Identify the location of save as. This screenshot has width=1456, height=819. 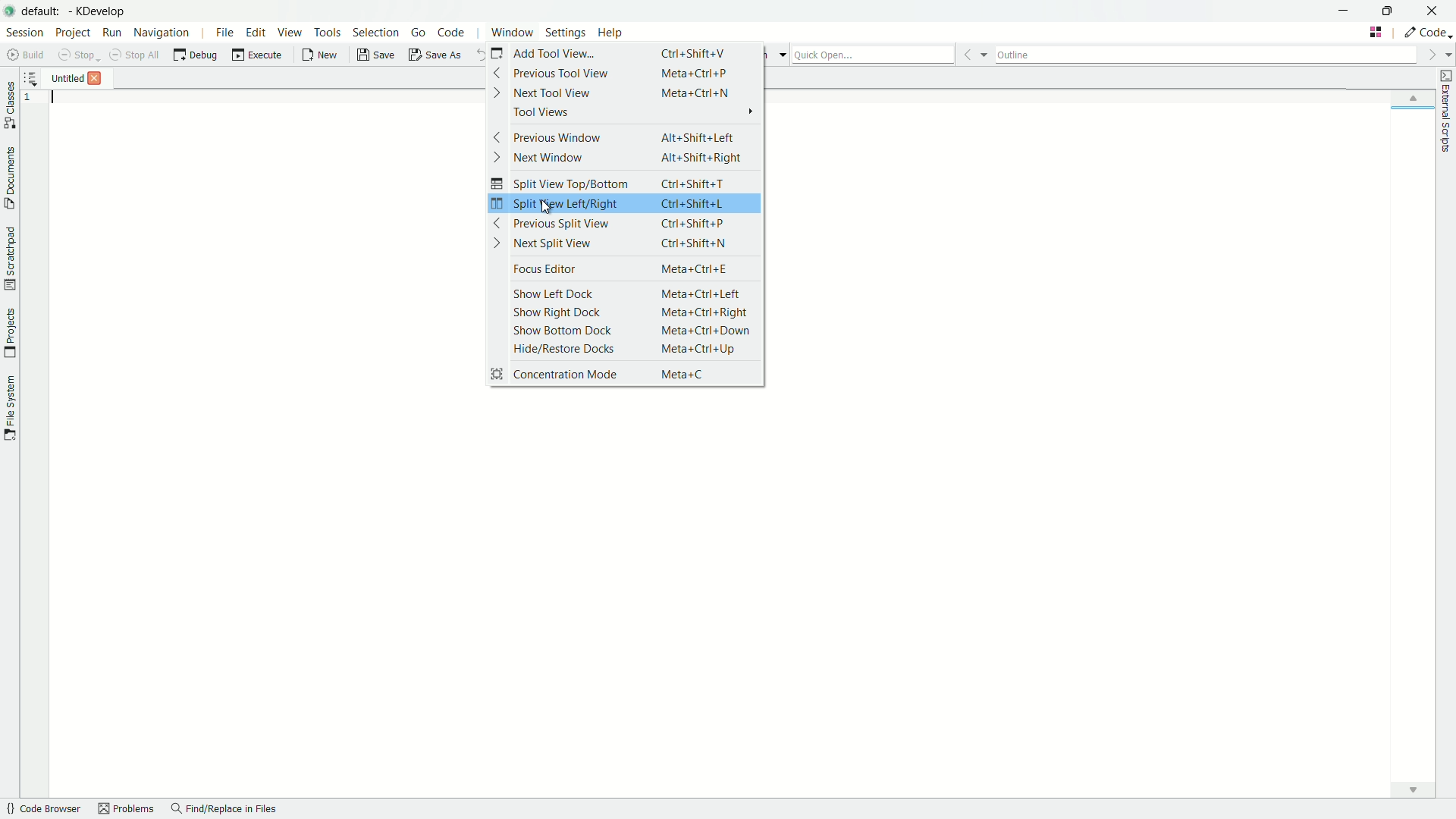
(435, 54).